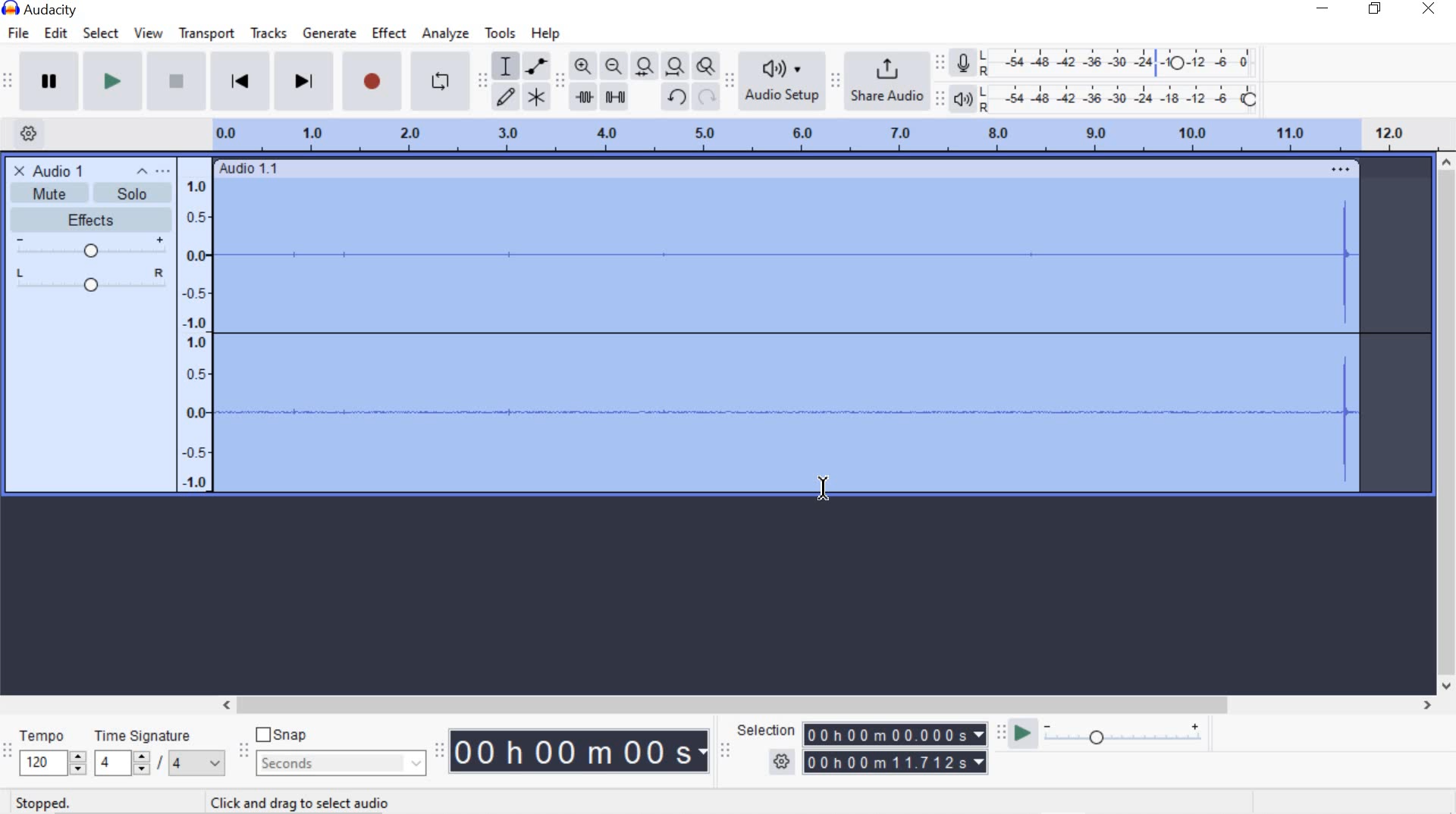  I want to click on minimize, so click(1323, 11).